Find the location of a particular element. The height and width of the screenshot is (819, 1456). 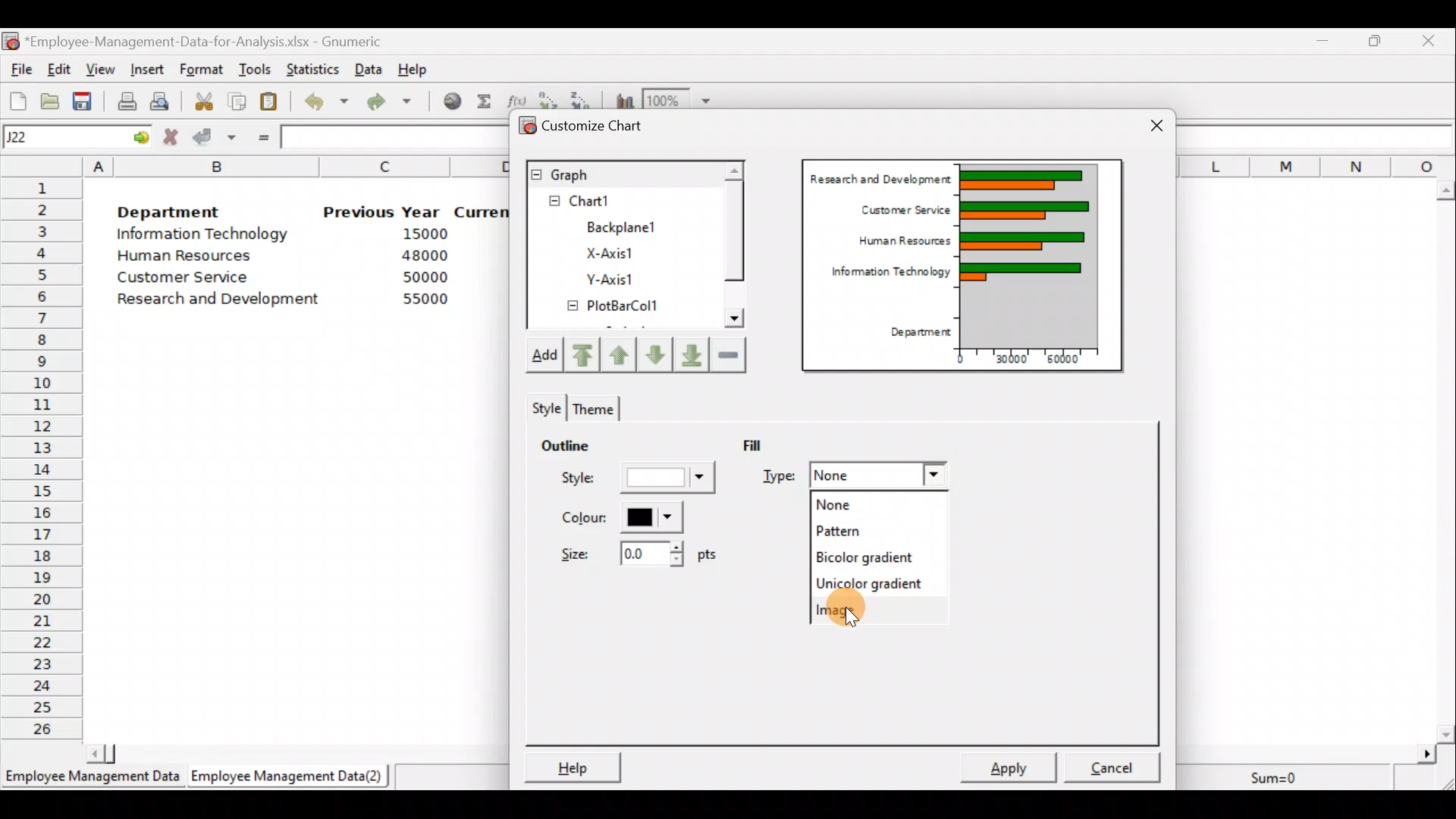

Zoom is located at coordinates (679, 99).